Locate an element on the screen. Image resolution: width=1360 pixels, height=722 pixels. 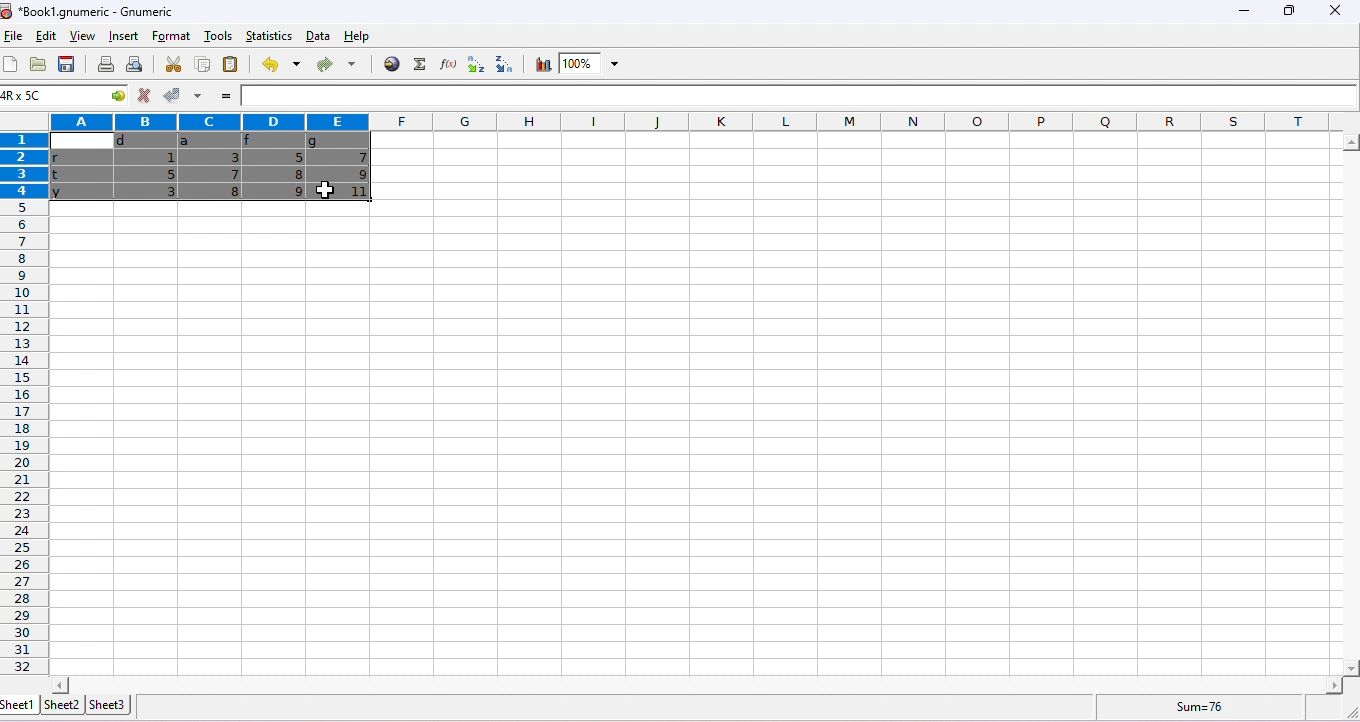
sheet3 is located at coordinates (107, 704).